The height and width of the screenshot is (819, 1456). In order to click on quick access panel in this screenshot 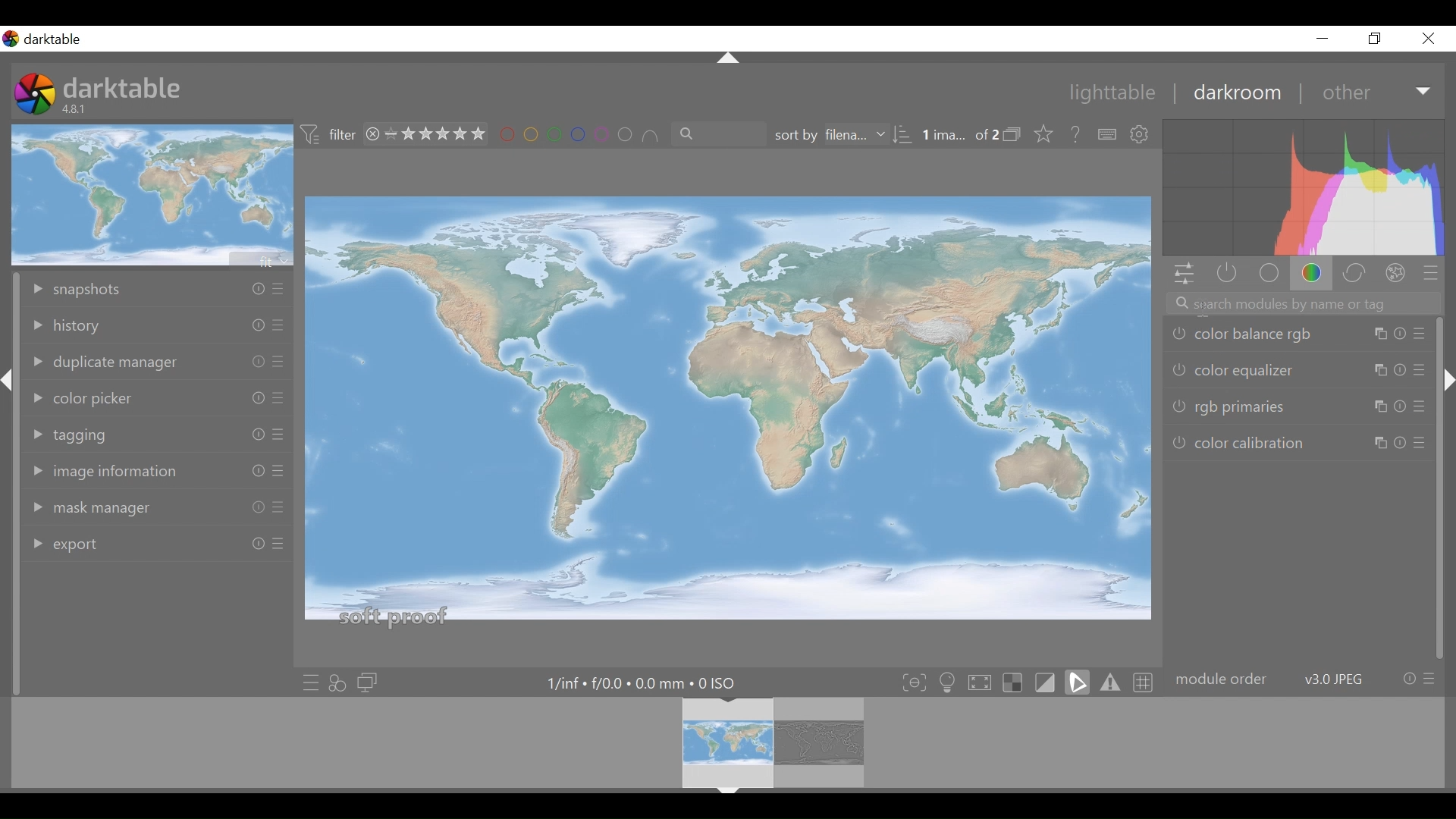, I will do `click(1184, 275)`.